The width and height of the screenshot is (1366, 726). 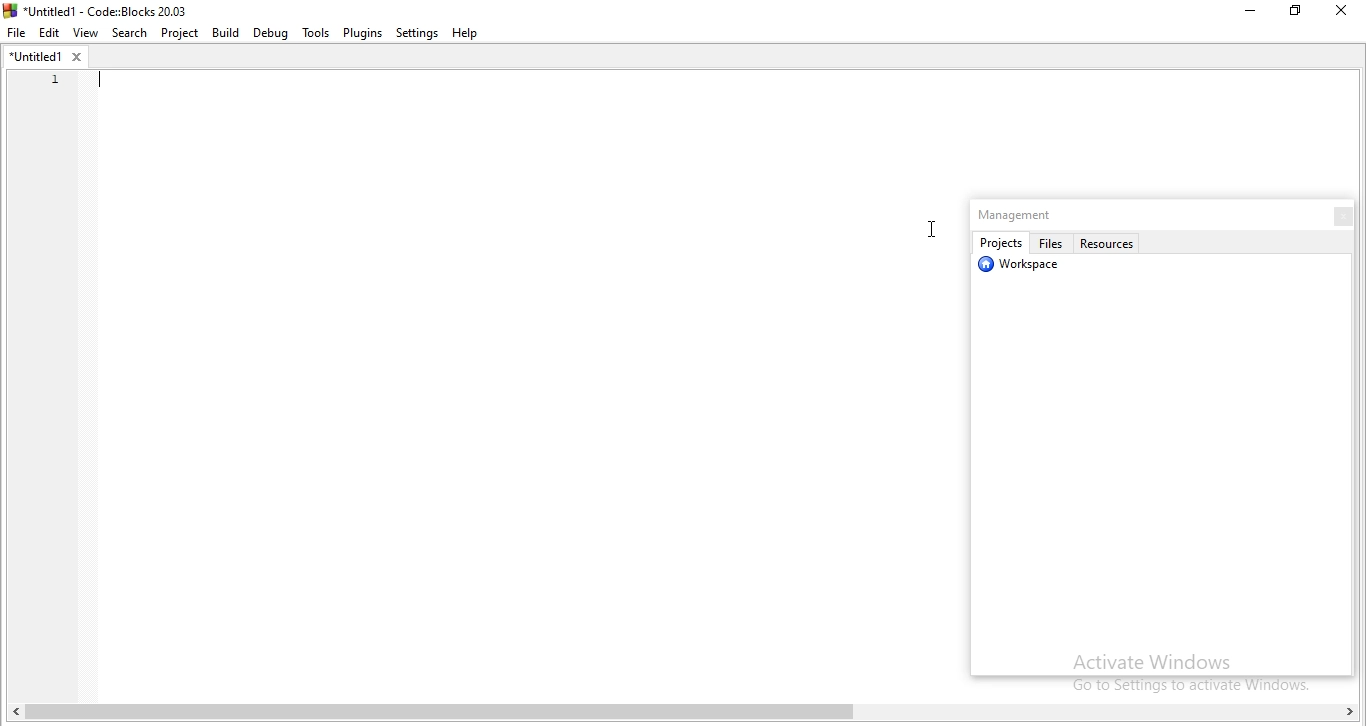 What do you see at coordinates (1337, 215) in the screenshot?
I see `close` at bounding box center [1337, 215].